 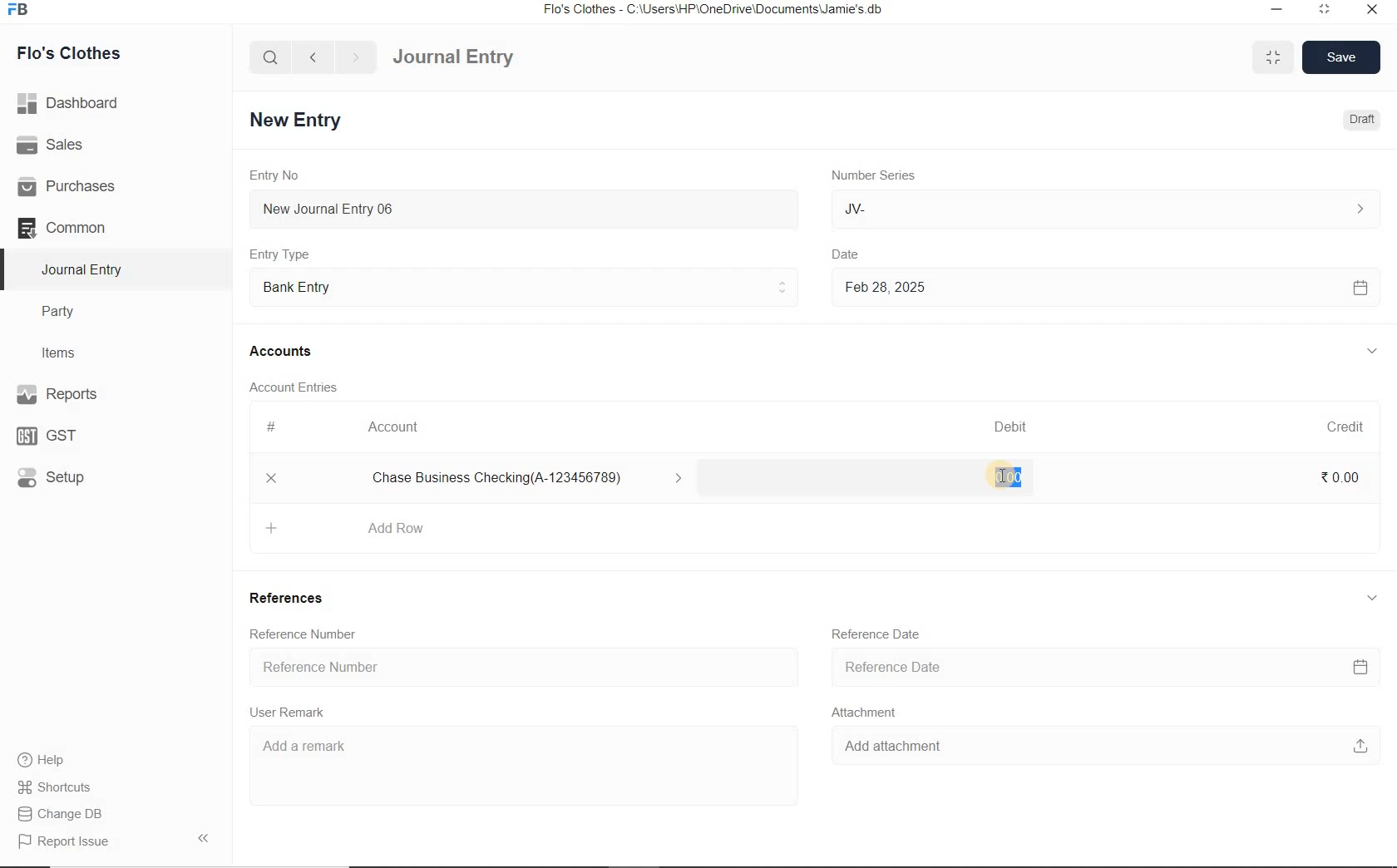 I want to click on Add a remark, so click(x=514, y=755).